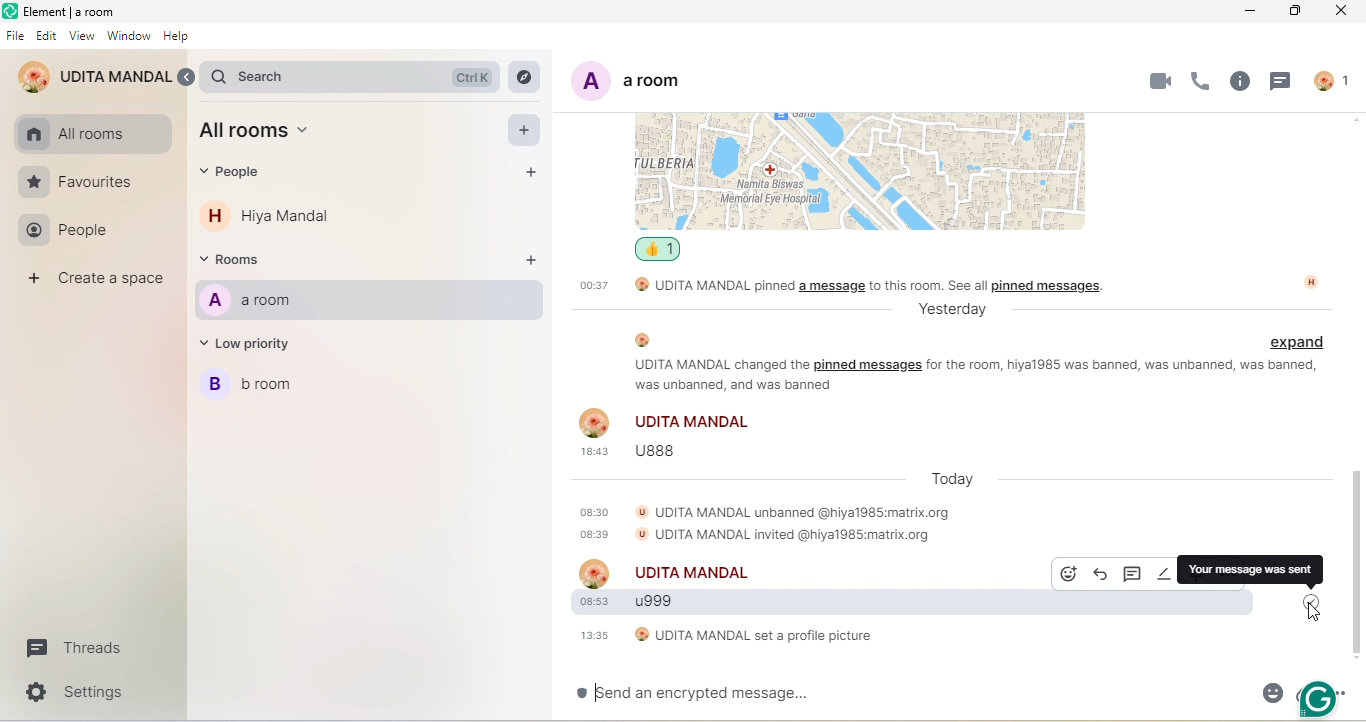  Describe the element at coordinates (262, 388) in the screenshot. I see `B broom` at that location.